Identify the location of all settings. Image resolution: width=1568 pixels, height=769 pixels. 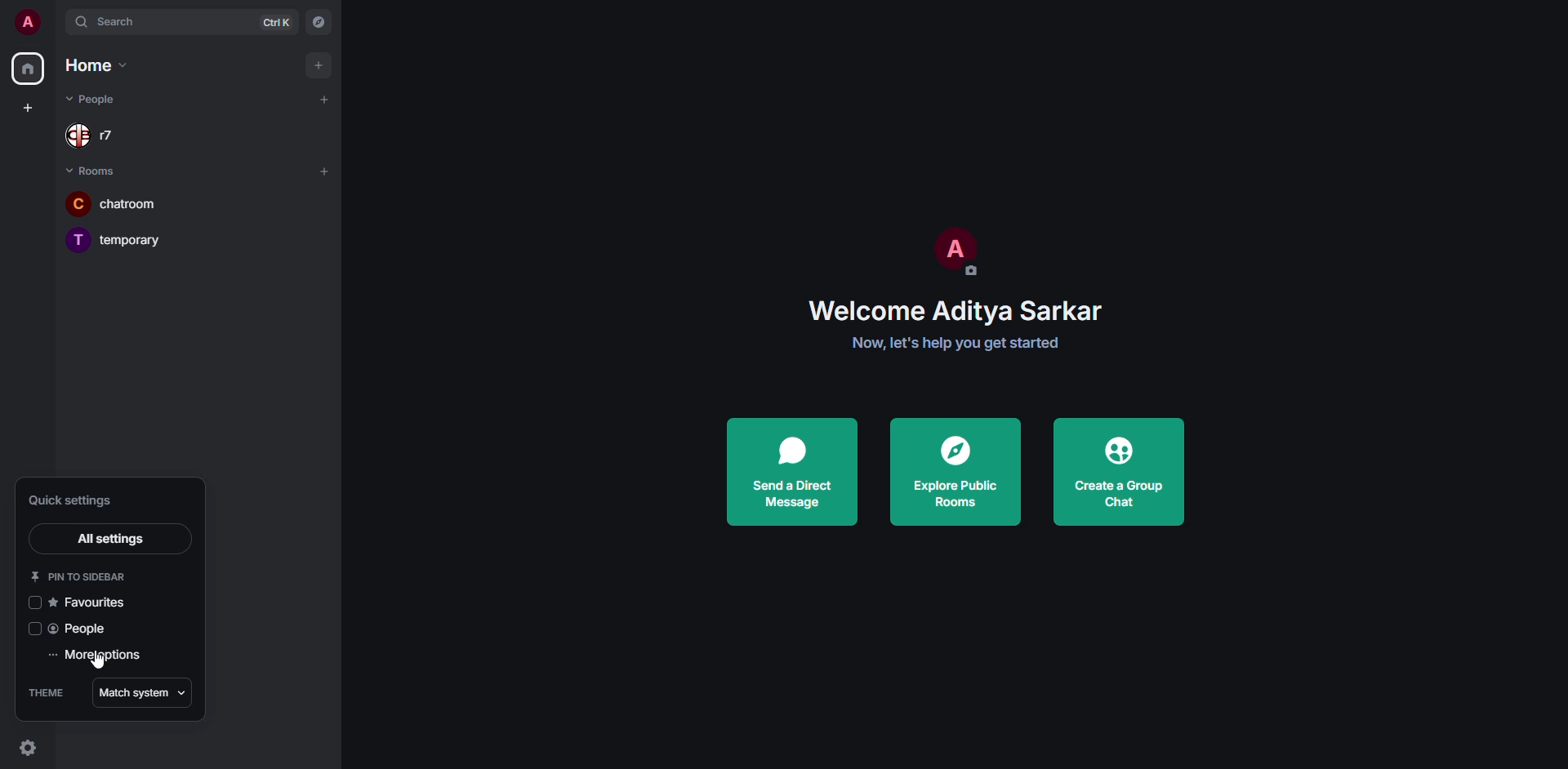
(109, 539).